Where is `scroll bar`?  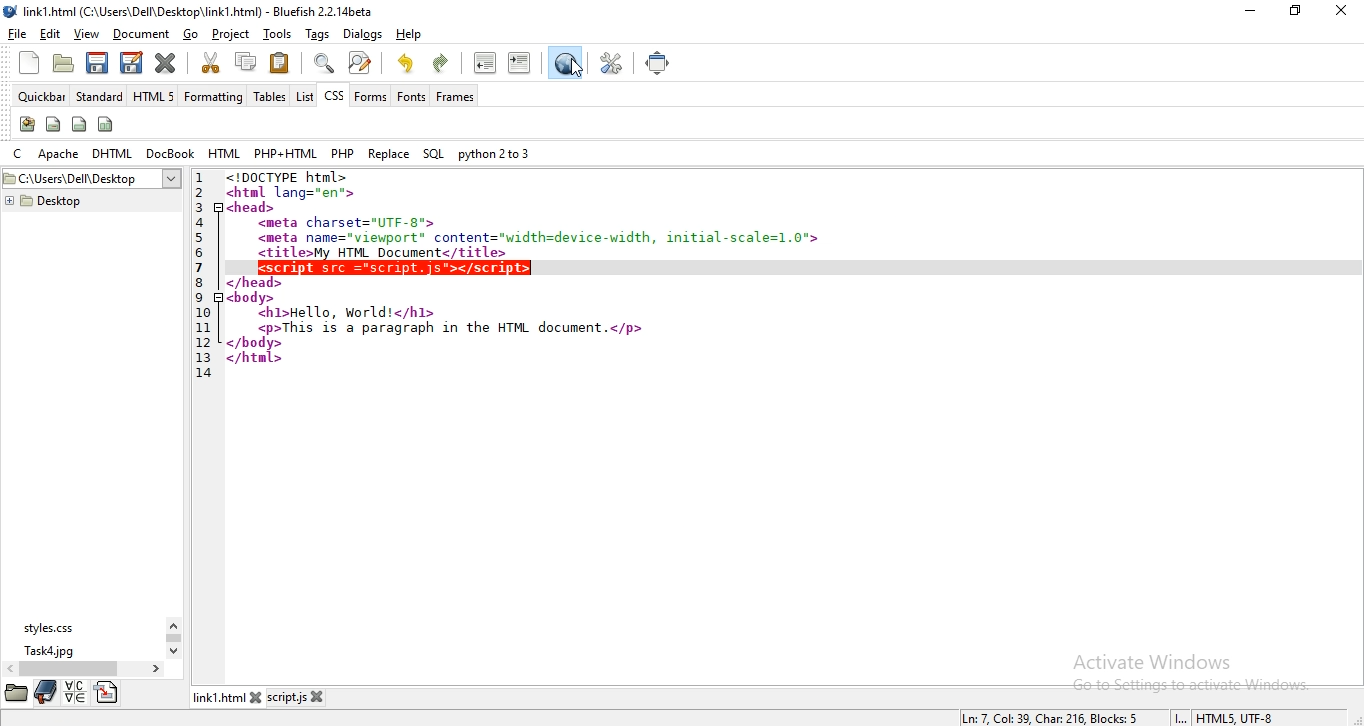
scroll bar is located at coordinates (173, 638).